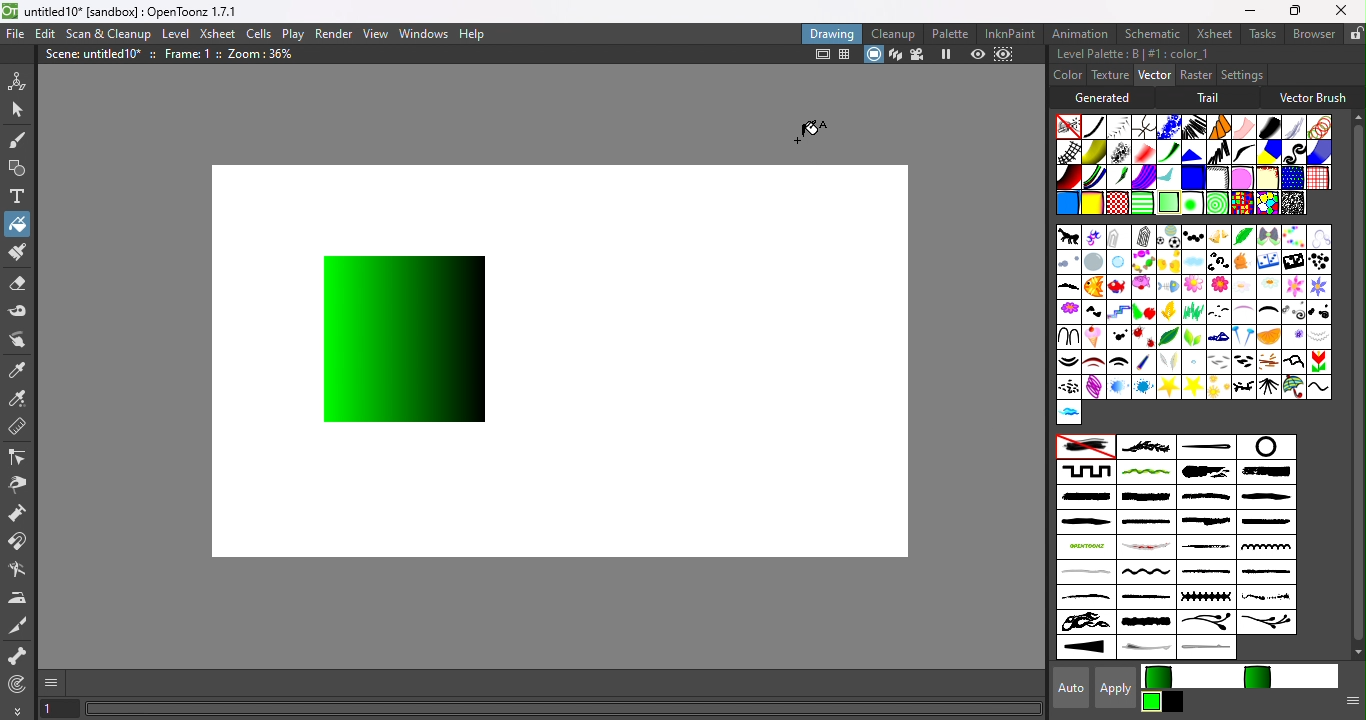  I want to click on Flower, so click(1067, 311).